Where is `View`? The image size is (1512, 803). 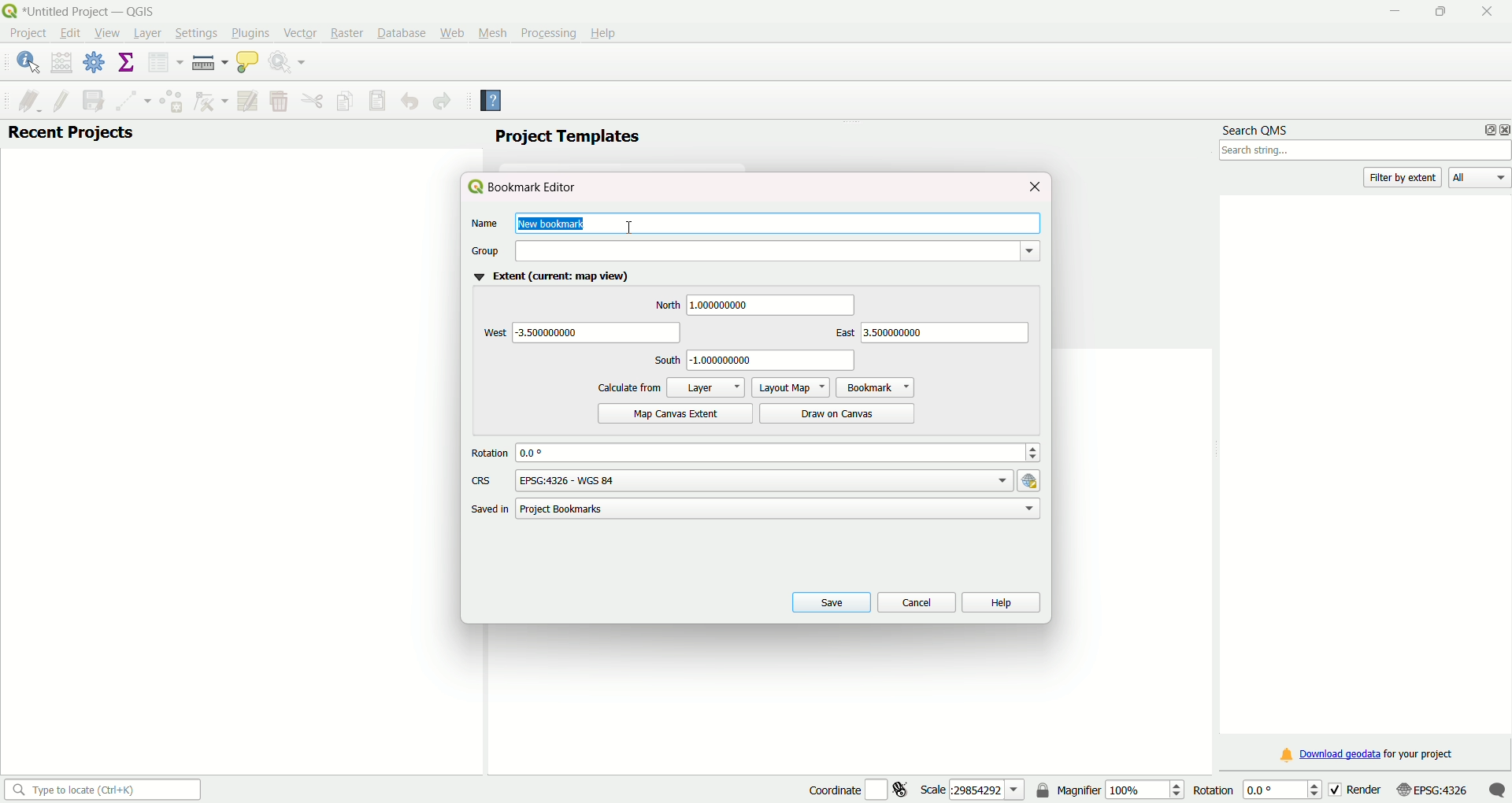
View is located at coordinates (107, 35).